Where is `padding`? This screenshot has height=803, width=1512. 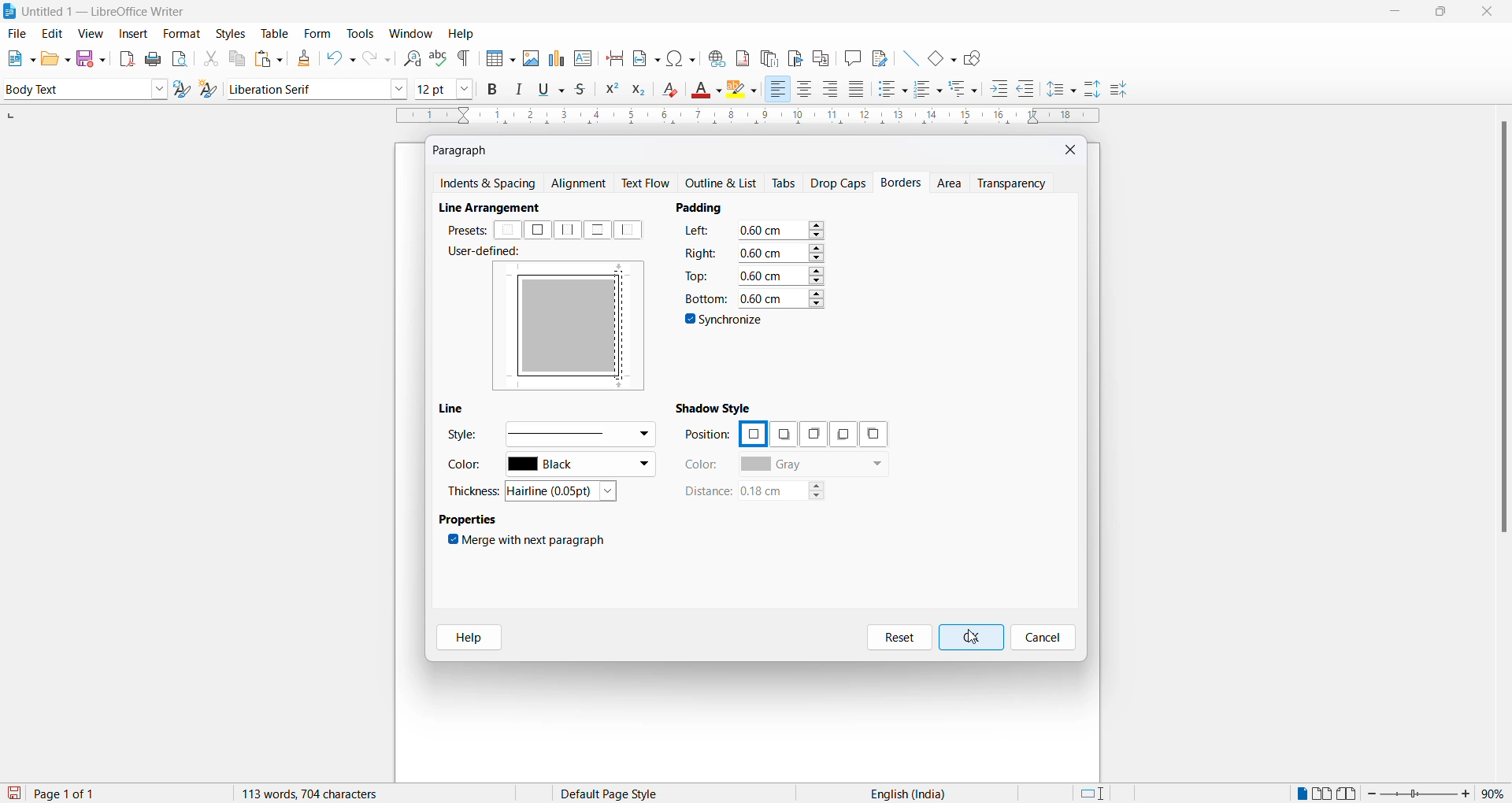 padding is located at coordinates (706, 207).